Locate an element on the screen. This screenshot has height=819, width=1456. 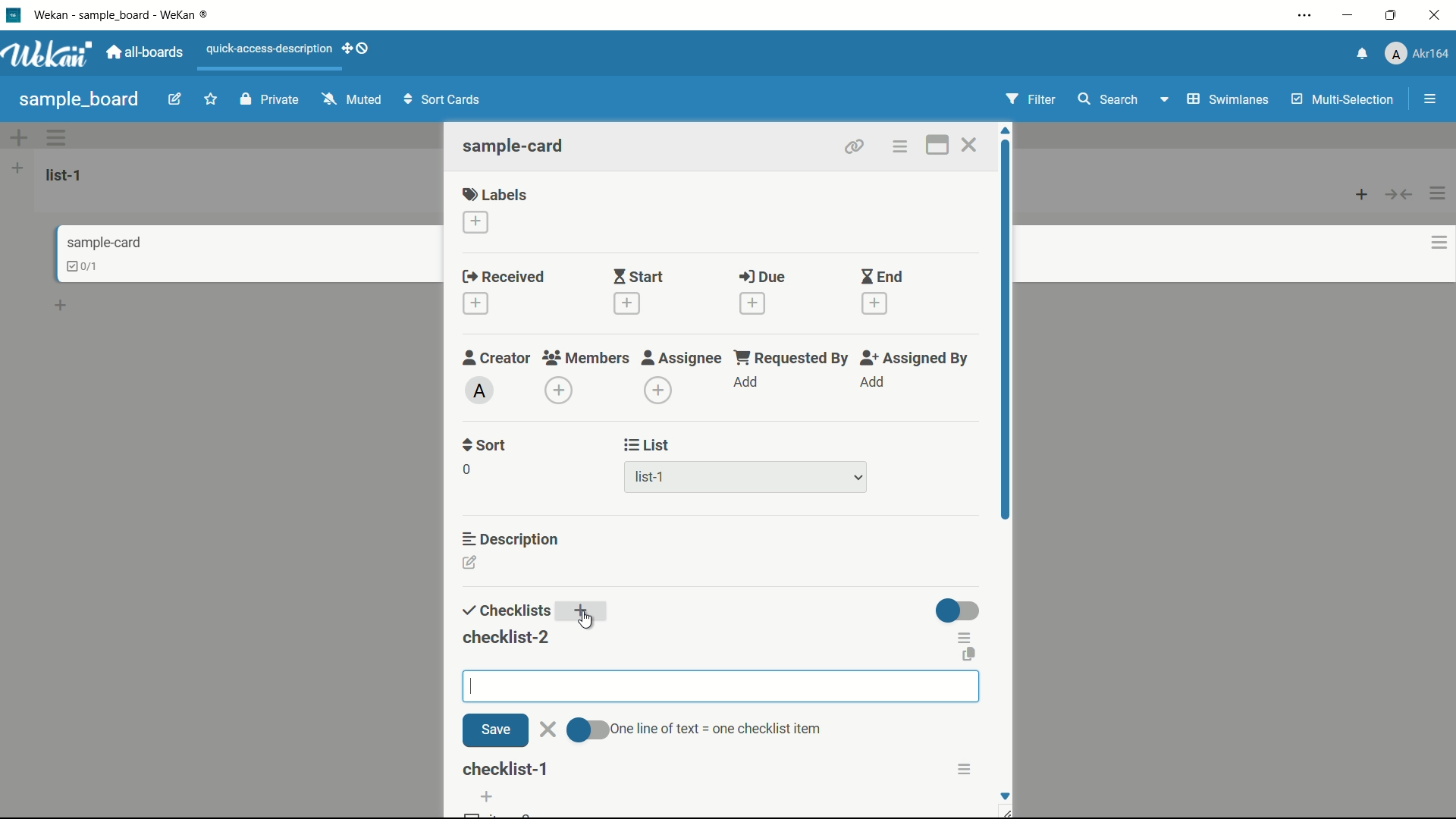
scroll up is located at coordinates (1007, 130).